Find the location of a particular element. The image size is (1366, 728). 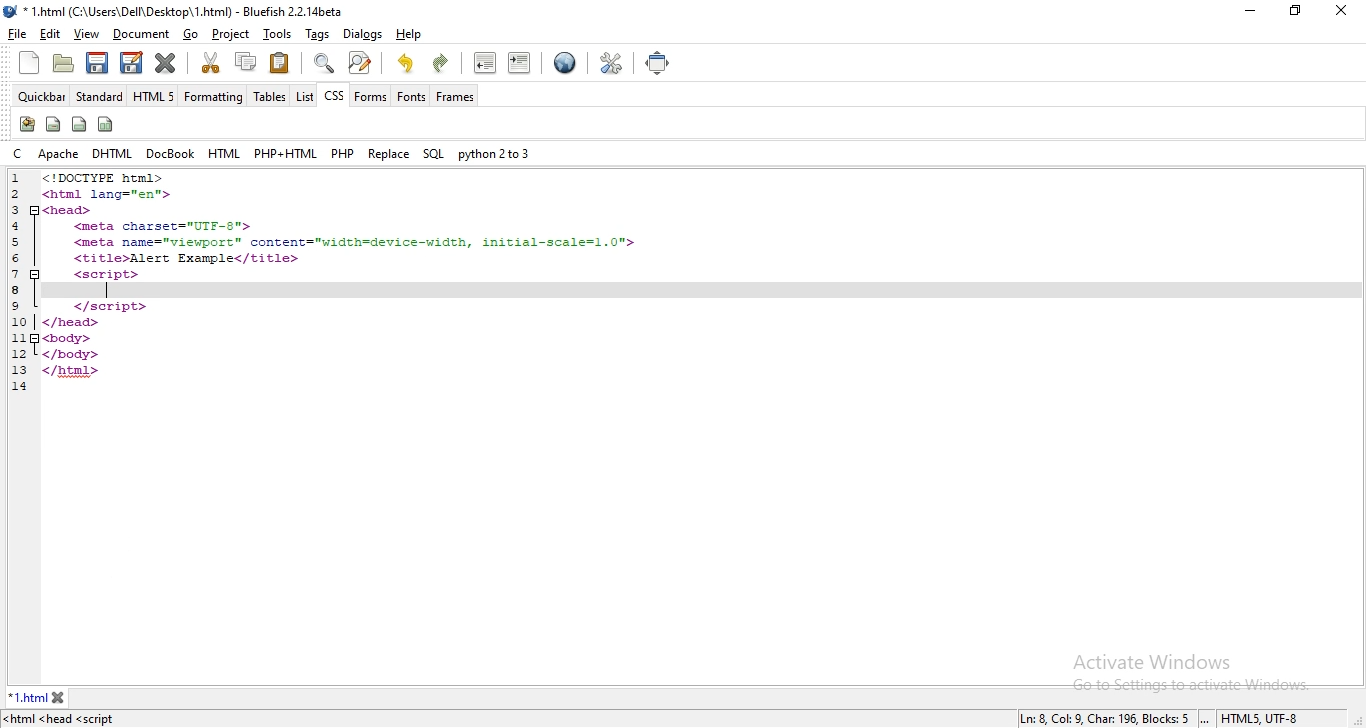

formatting is located at coordinates (211, 96).